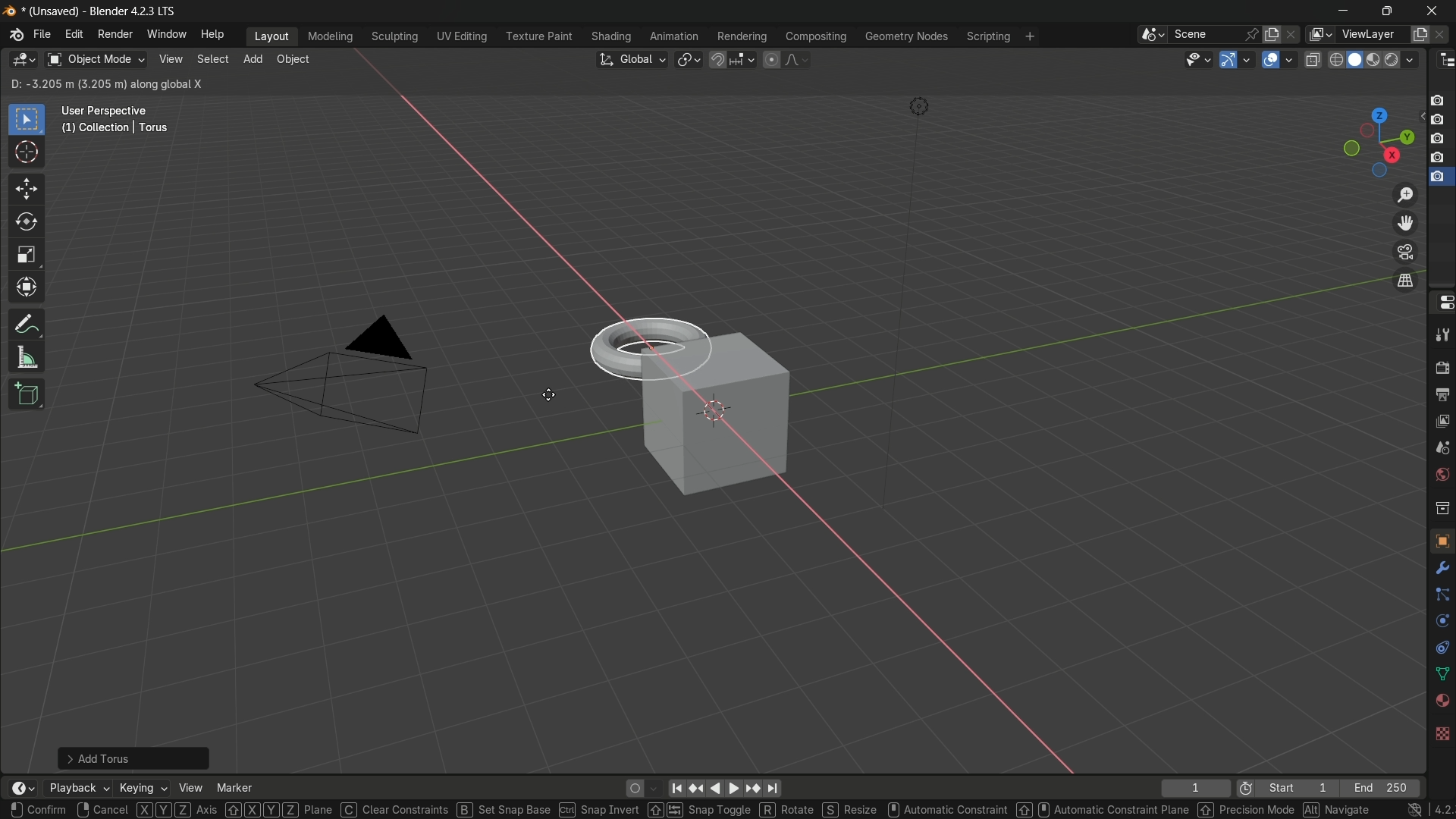 Image resolution: width=1456 pixels, height=819 pixels. What do you see at coordinates (1405, 252) in the screenshot?
I see `toggle the camera view` at bounding box center [1405, 252].